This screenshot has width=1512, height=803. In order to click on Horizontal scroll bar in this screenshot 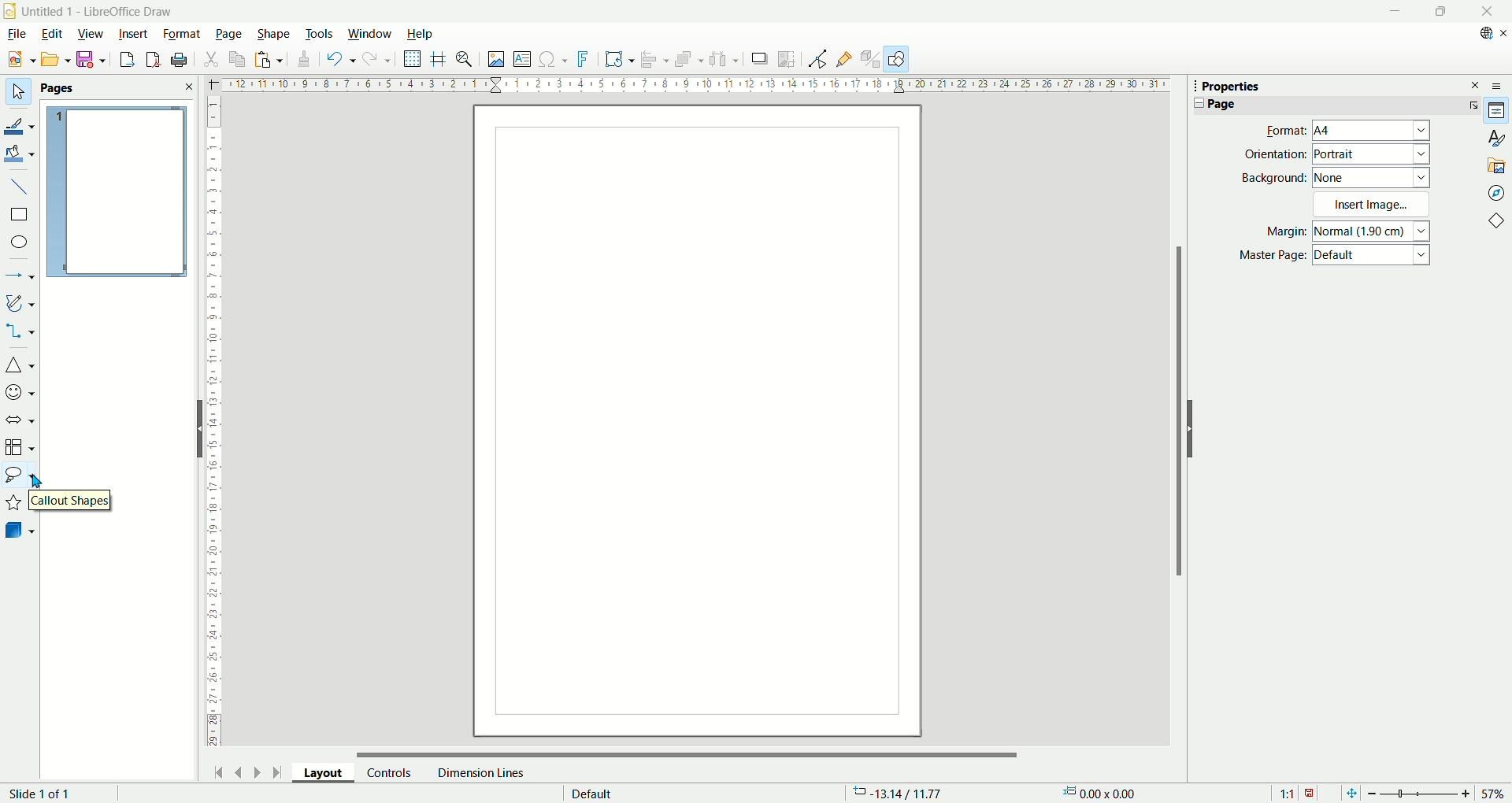, I will do `click(688, 750)`.